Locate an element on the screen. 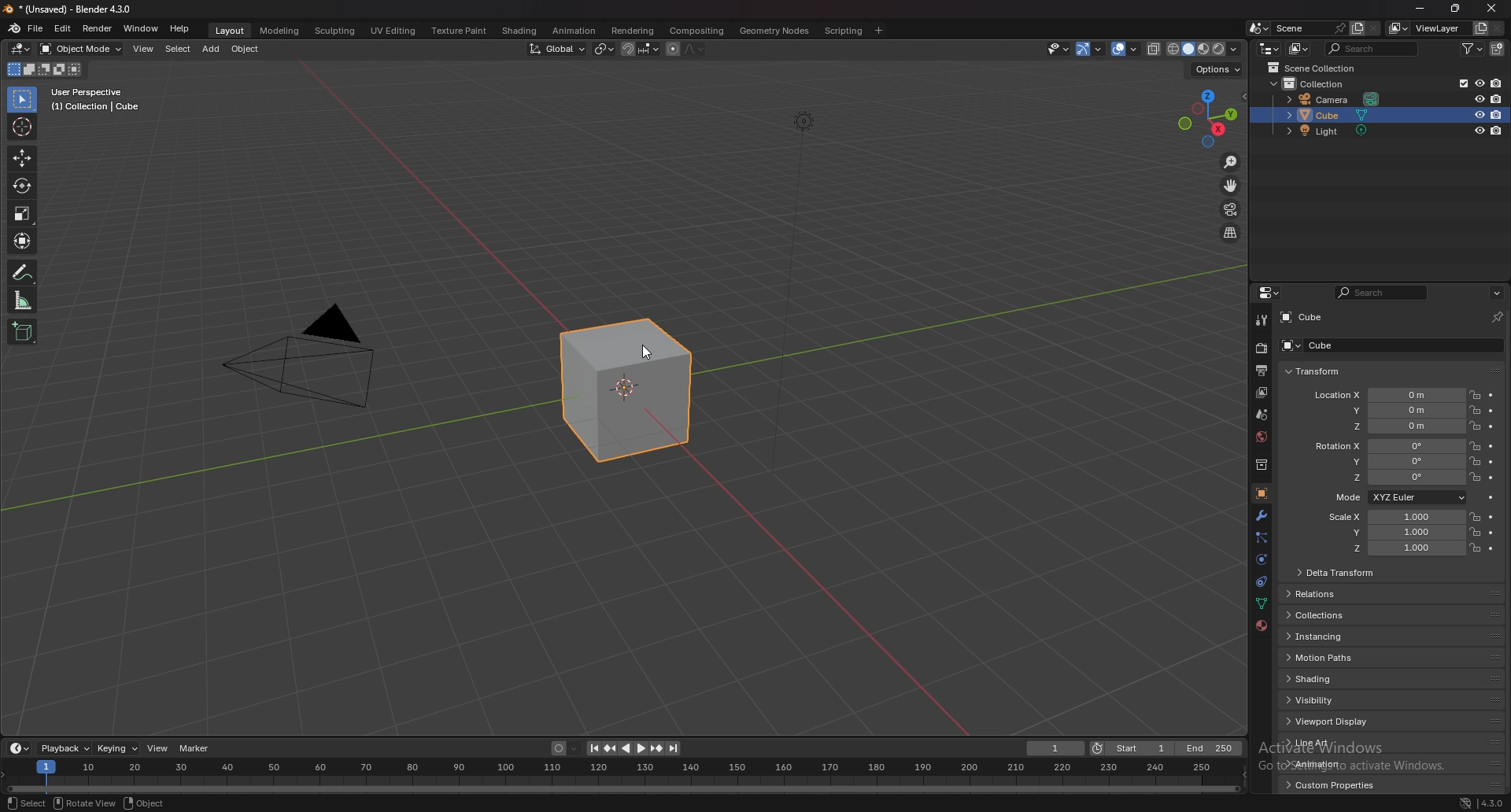  object is located at coordinates (147, 803).